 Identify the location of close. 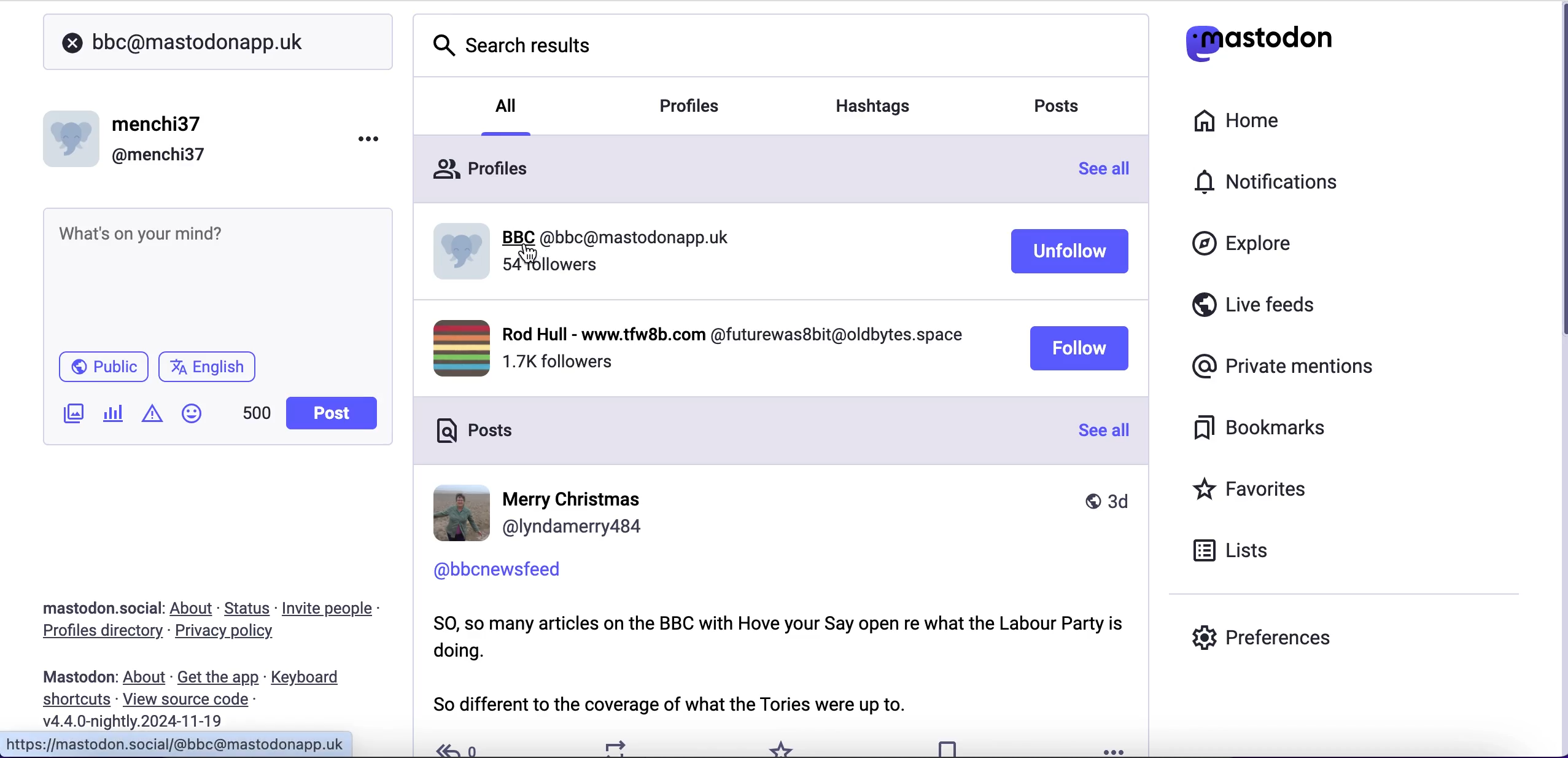
(72, 44).